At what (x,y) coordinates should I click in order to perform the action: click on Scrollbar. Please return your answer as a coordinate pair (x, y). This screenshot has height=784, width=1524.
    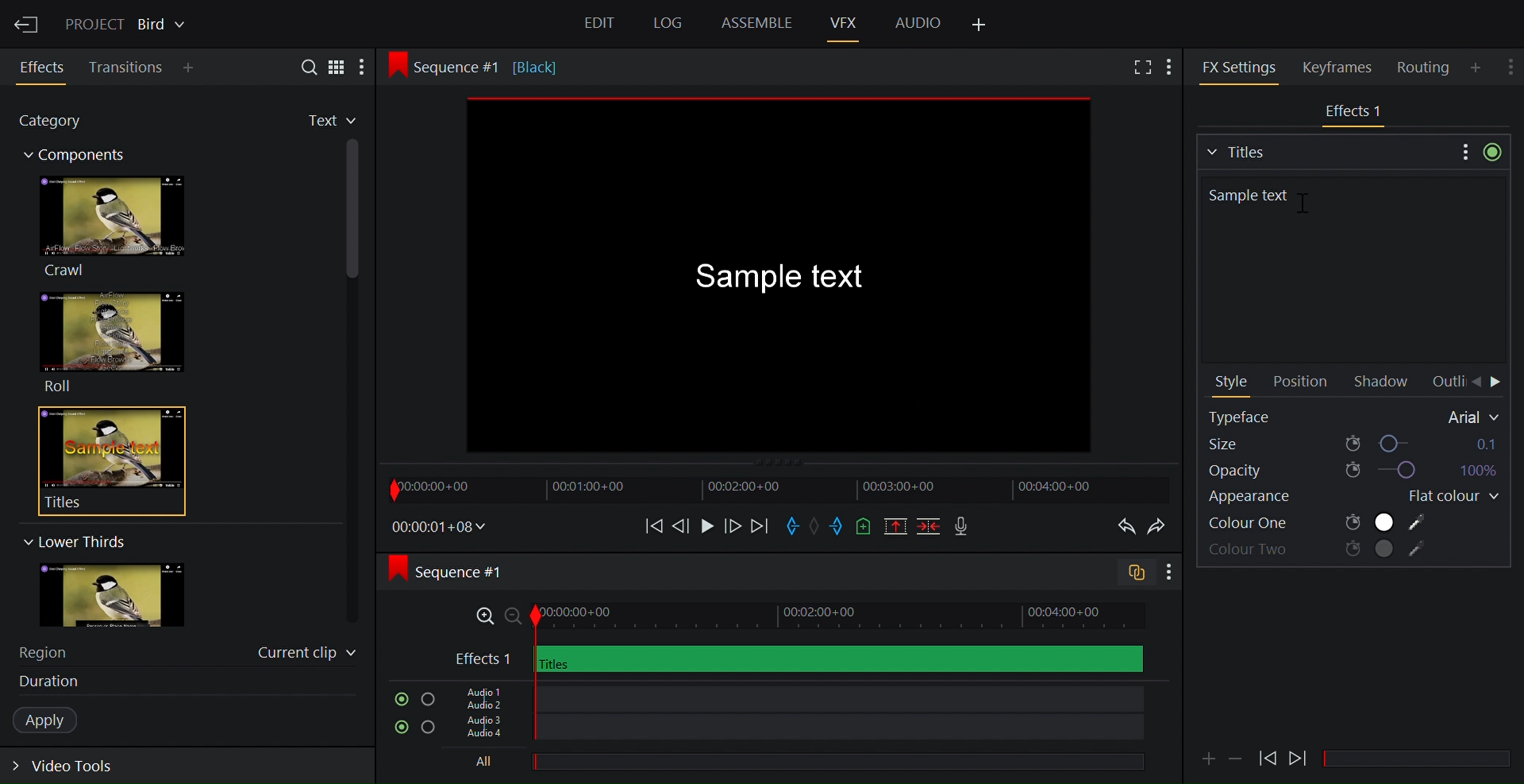
    Looking at the image, I should click on (1423, 759).